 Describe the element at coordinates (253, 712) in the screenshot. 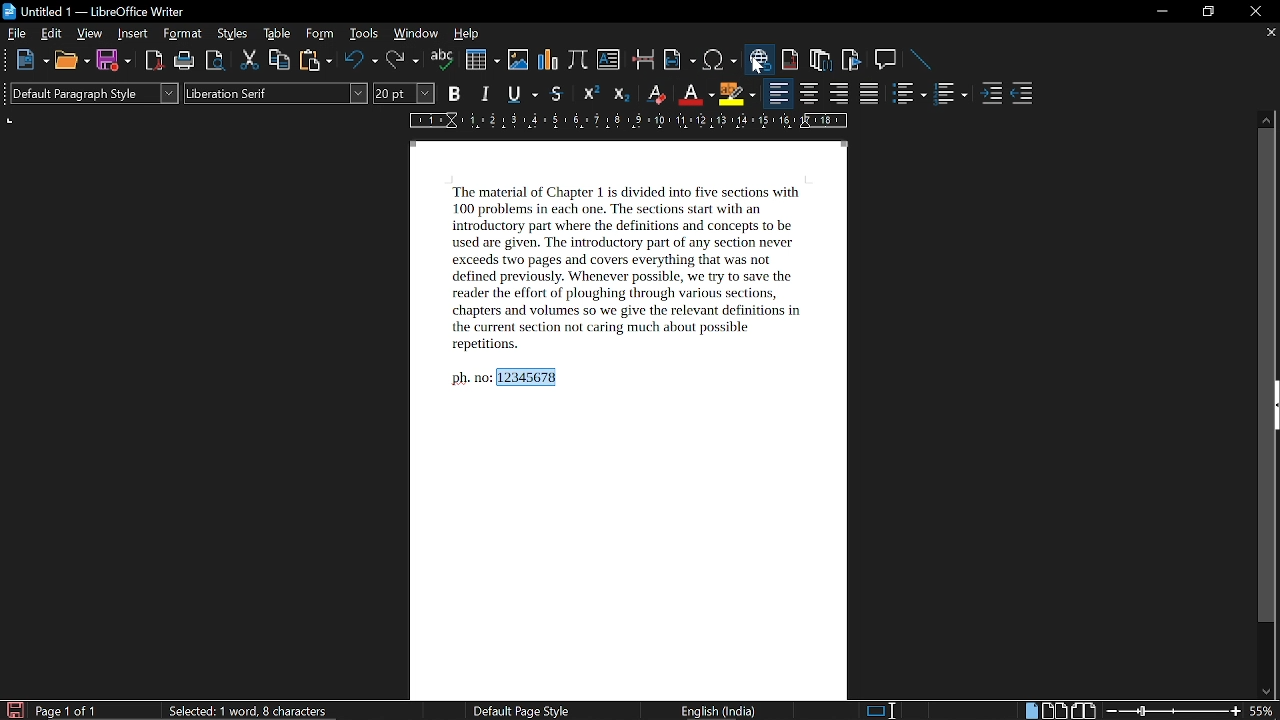

I see `selected: 1 word, 8 characters` at that location.